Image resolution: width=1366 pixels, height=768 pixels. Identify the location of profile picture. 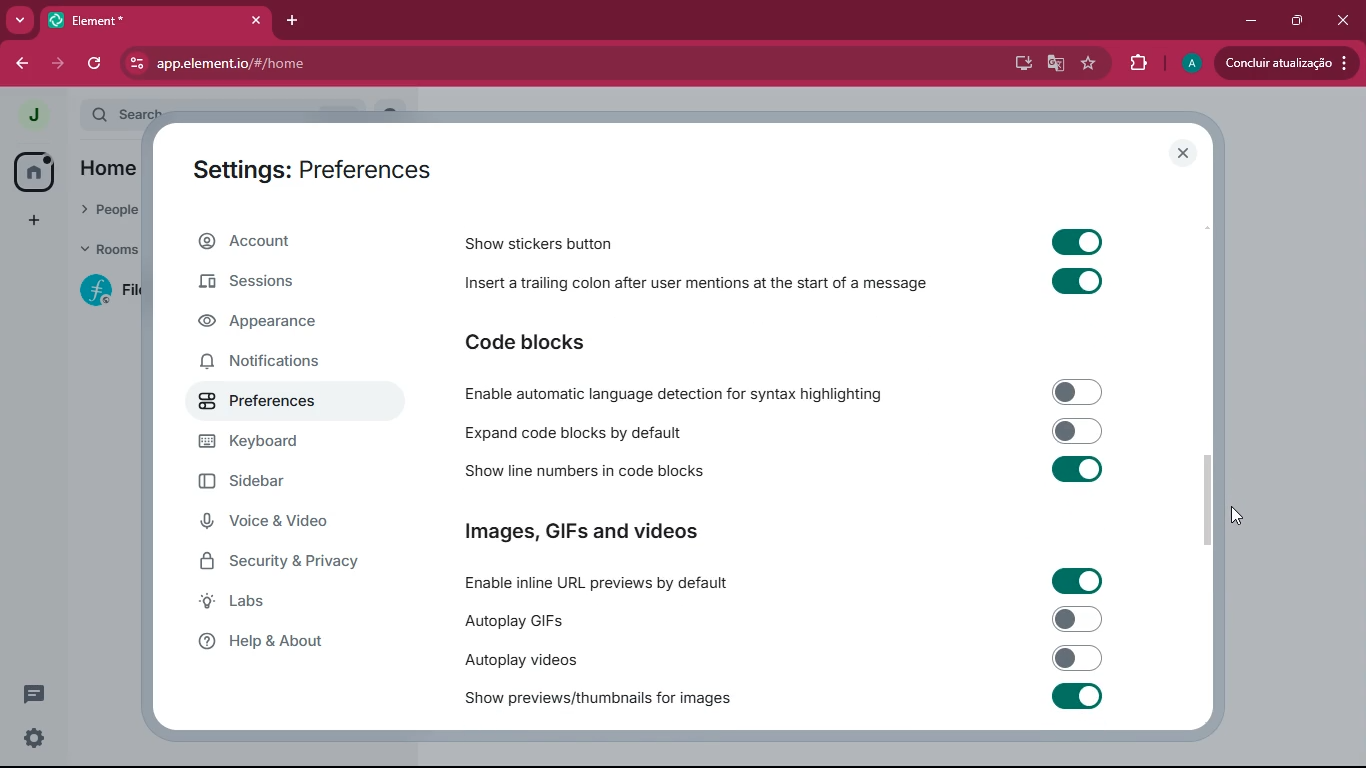
(1190, 64).